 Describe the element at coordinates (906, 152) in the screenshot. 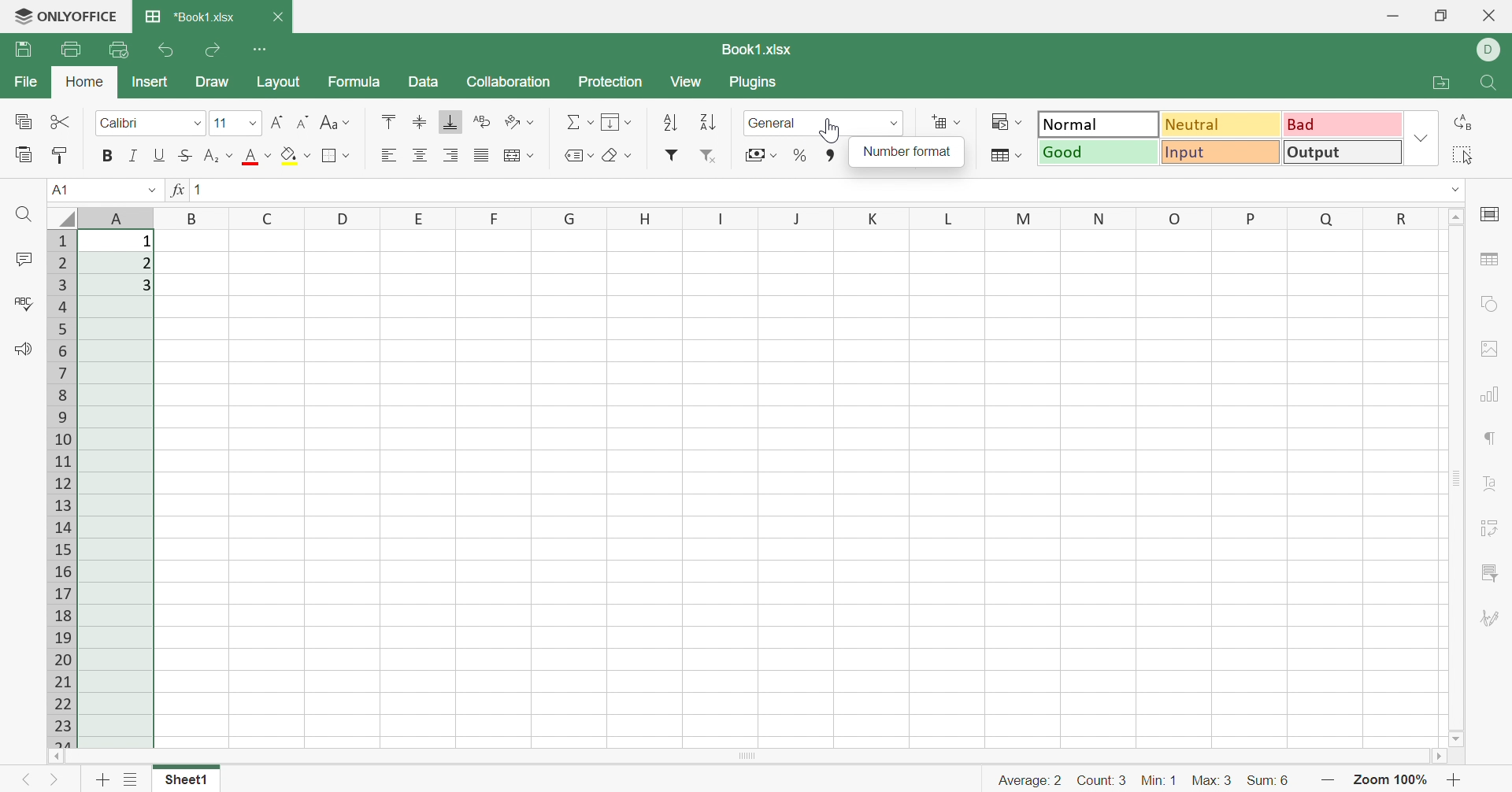

I see `Number format` at that location.